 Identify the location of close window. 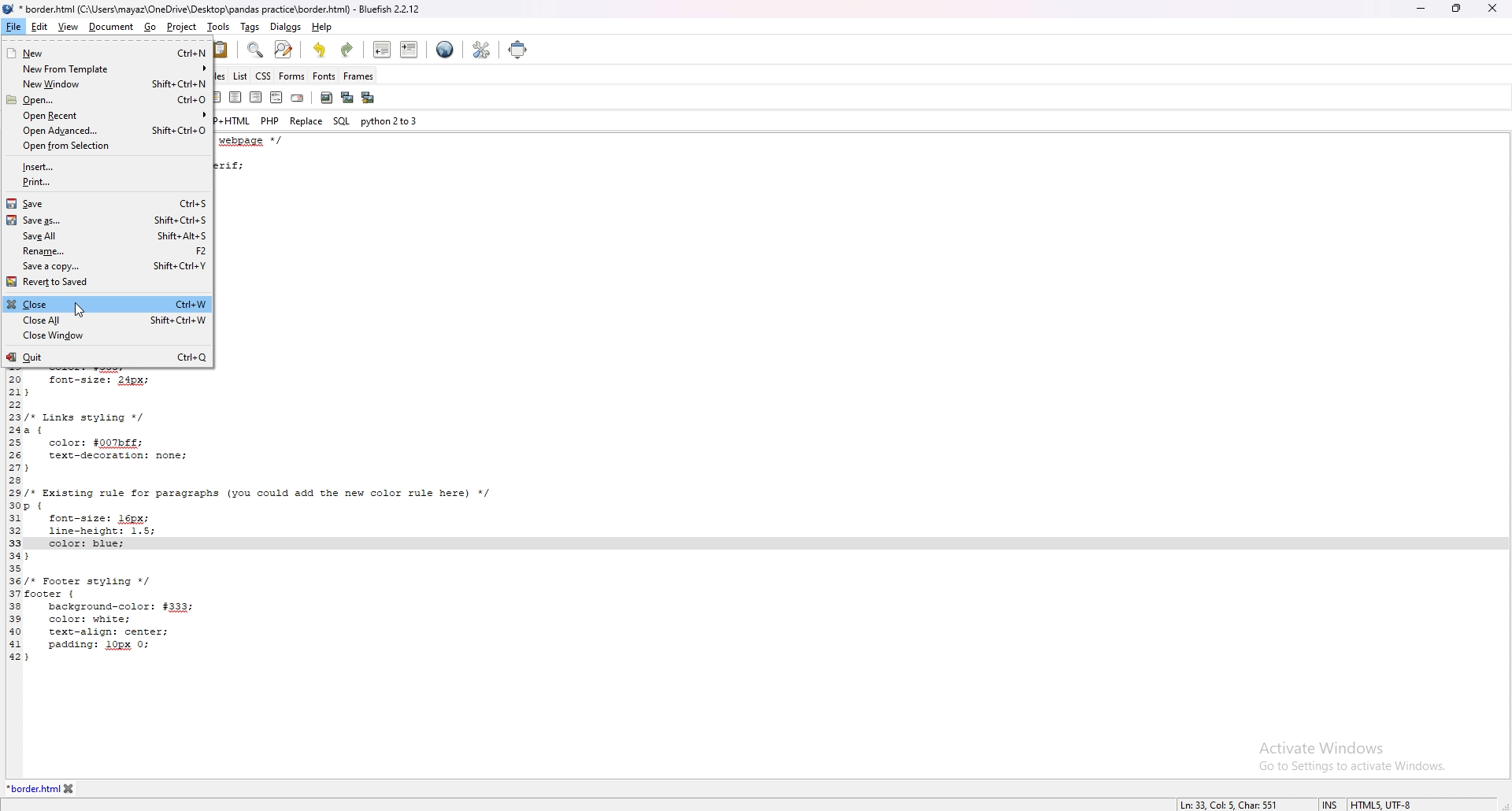
(106, 334).